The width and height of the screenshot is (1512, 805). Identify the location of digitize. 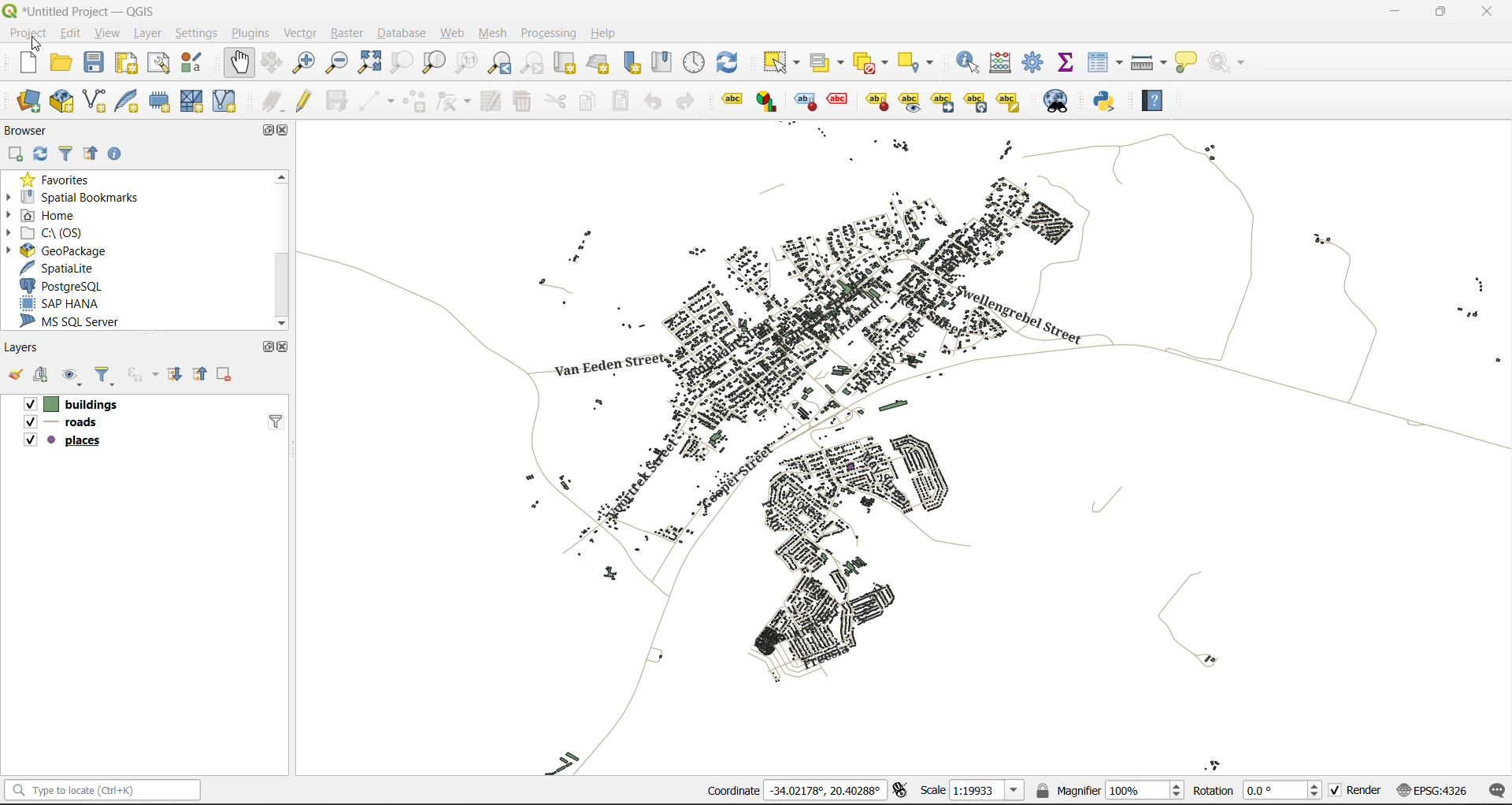
(373, 100).